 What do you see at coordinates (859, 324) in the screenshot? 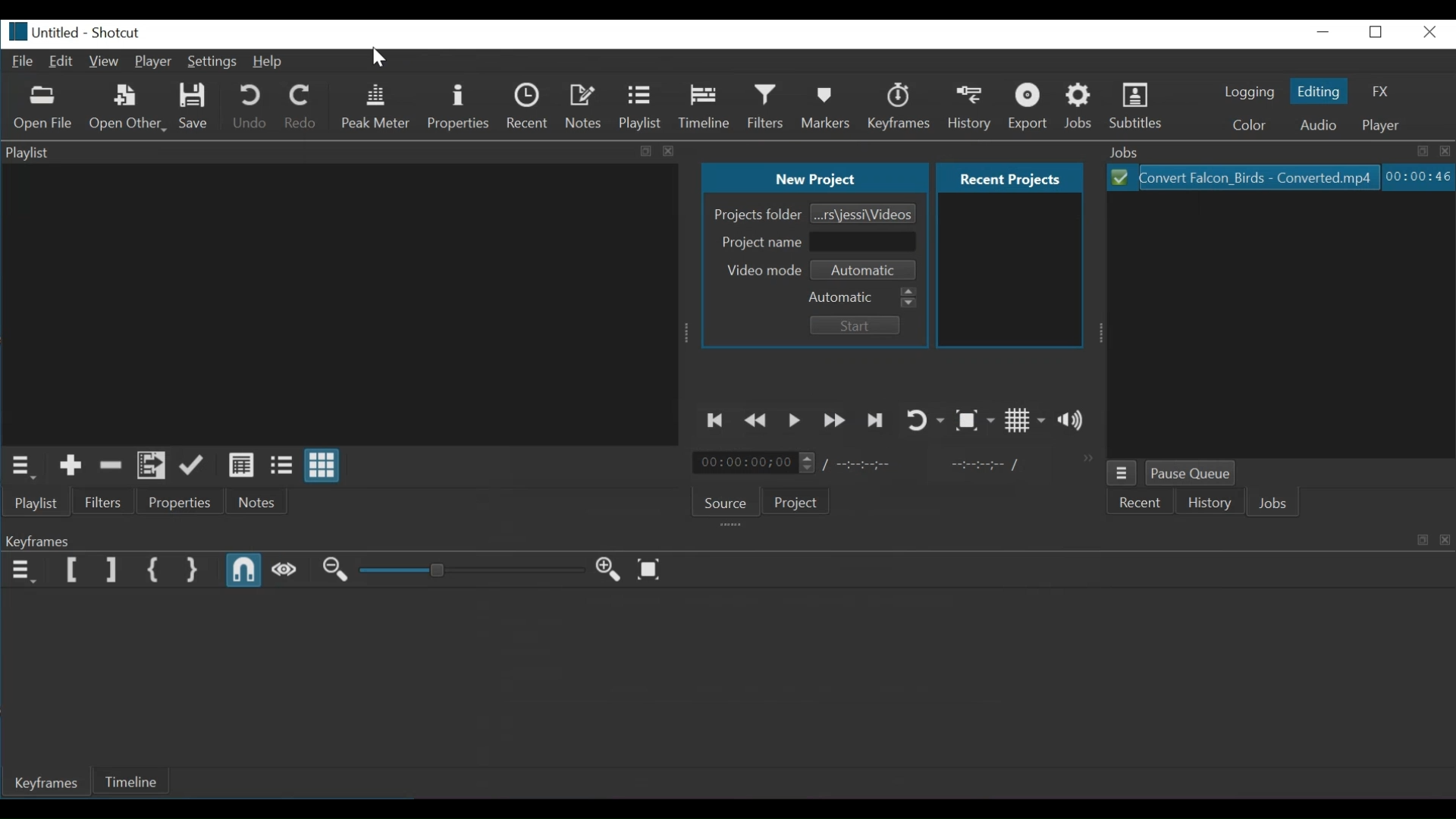
I see `Start` at bounding box center [859, 324].